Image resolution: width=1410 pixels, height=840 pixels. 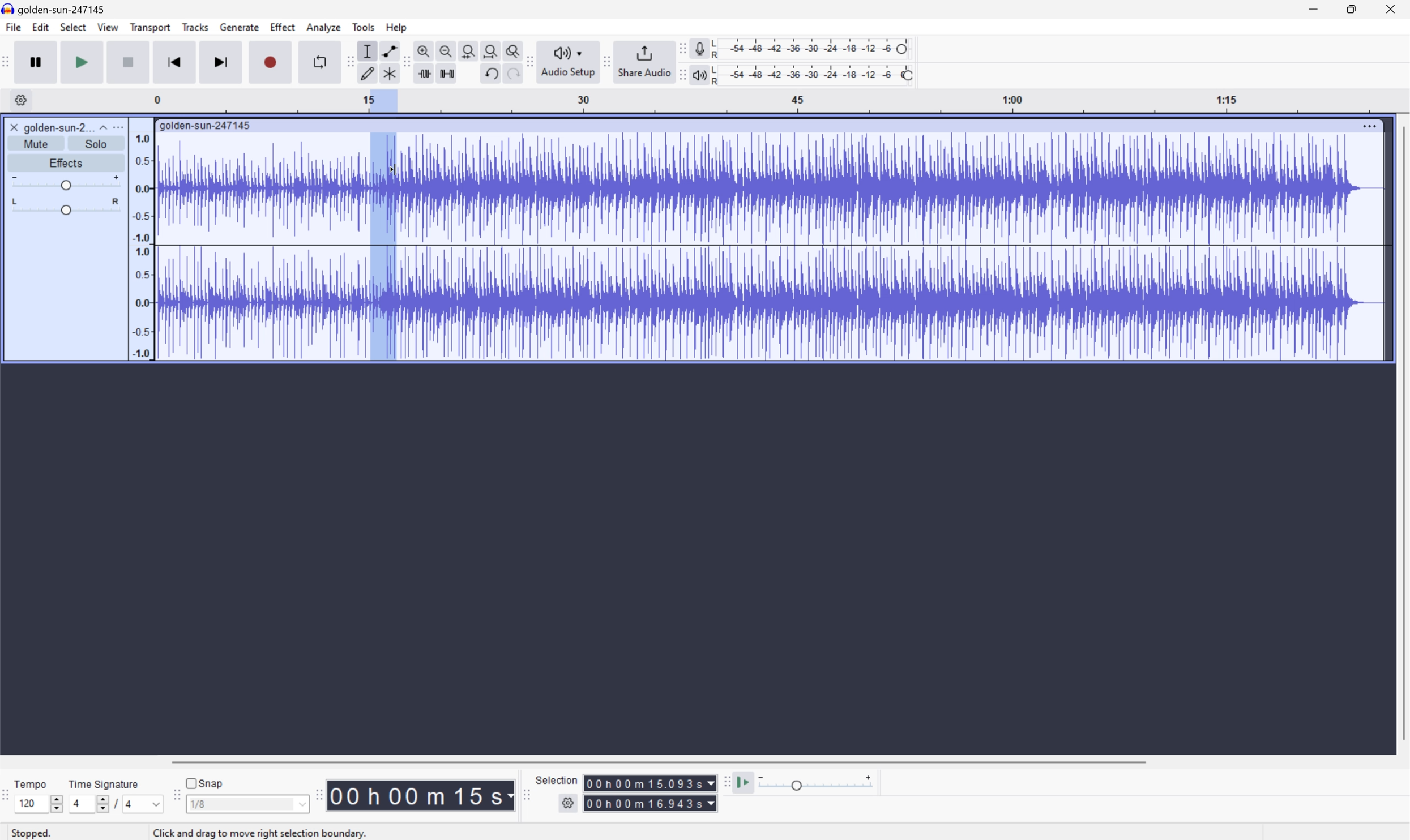 What do you see at coordinates (317, 61) in the screenshot?
I see `Enable looping` at bounding box center [317, 61].